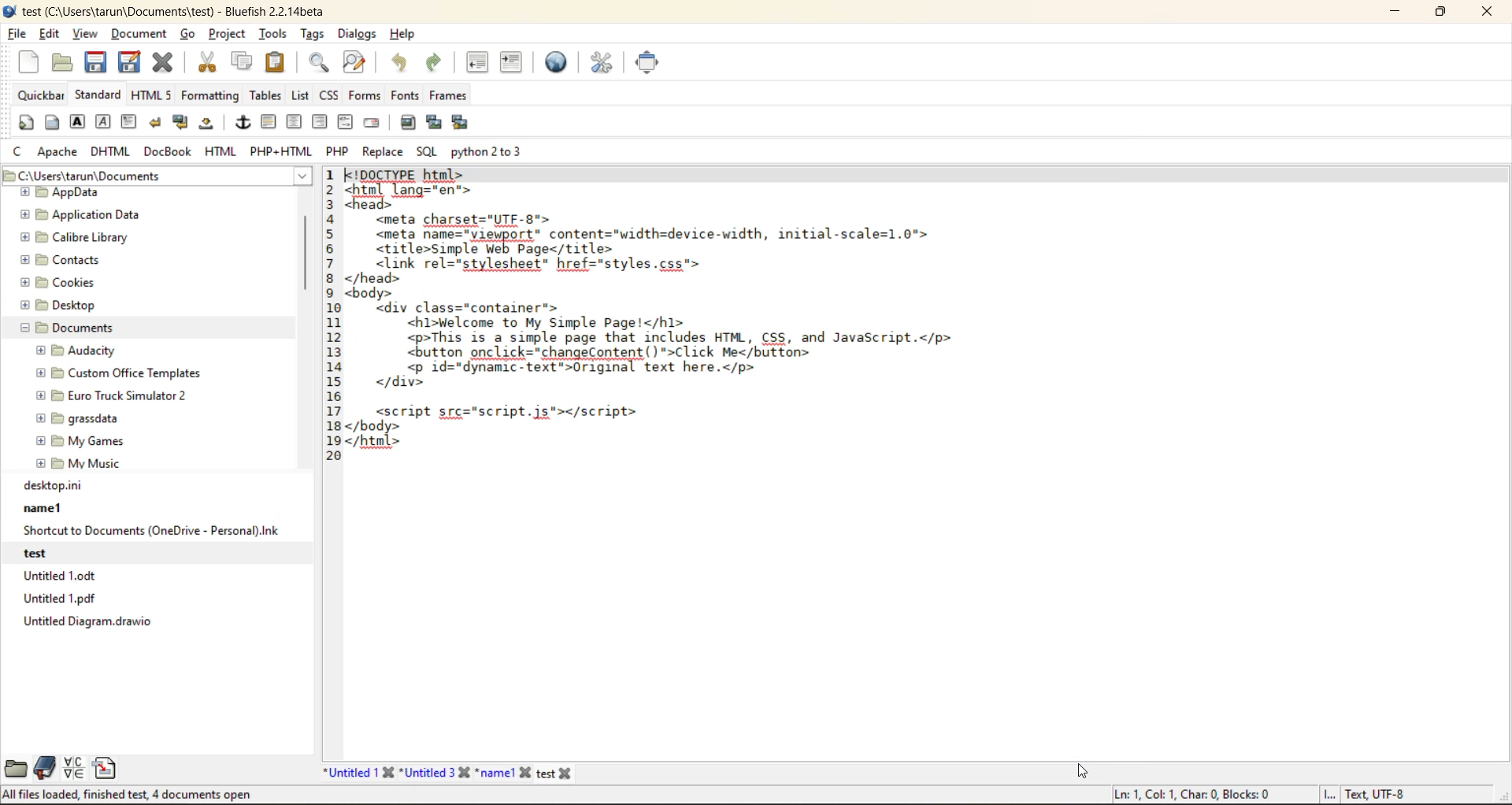 The height and width of the screenshot is (805, 1512). Describe the element at coordinates (240, 62) in the screenshot. I see `copy` at that location.